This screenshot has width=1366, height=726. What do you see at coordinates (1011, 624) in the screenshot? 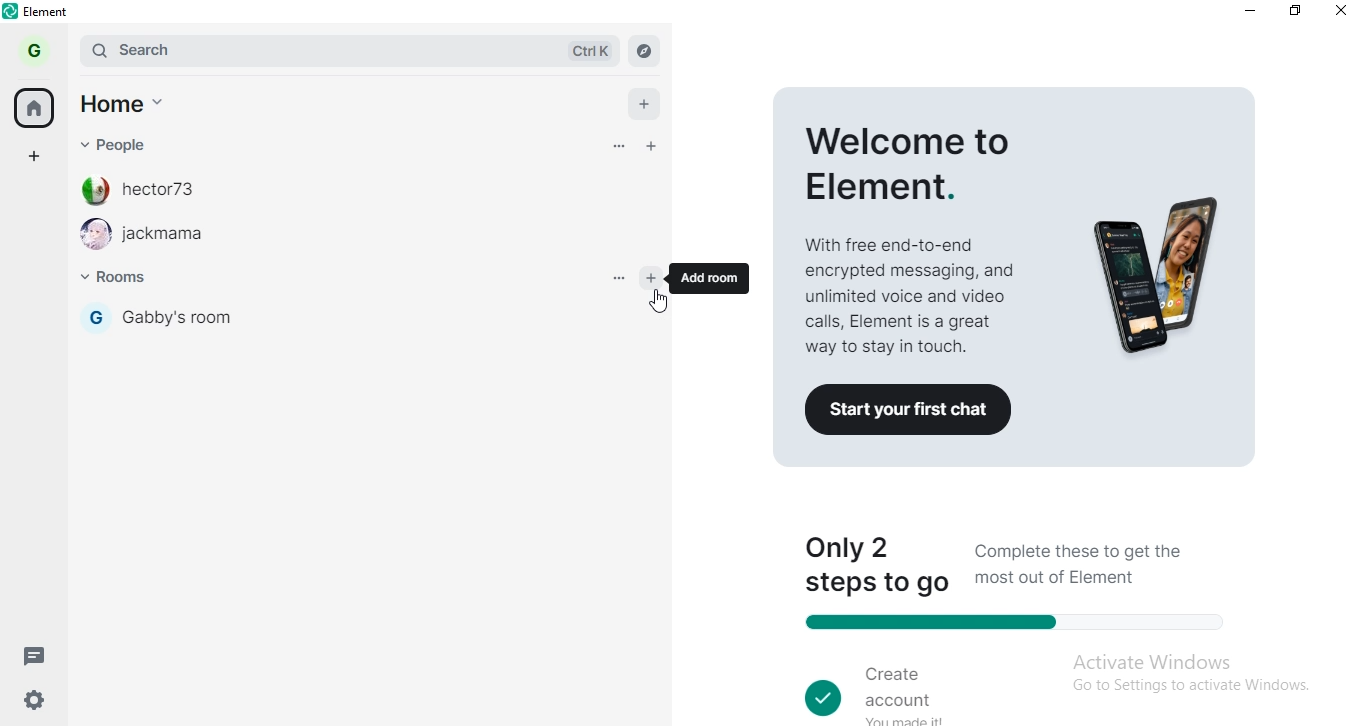
I see `progress` at bounding box center [1011, 624].